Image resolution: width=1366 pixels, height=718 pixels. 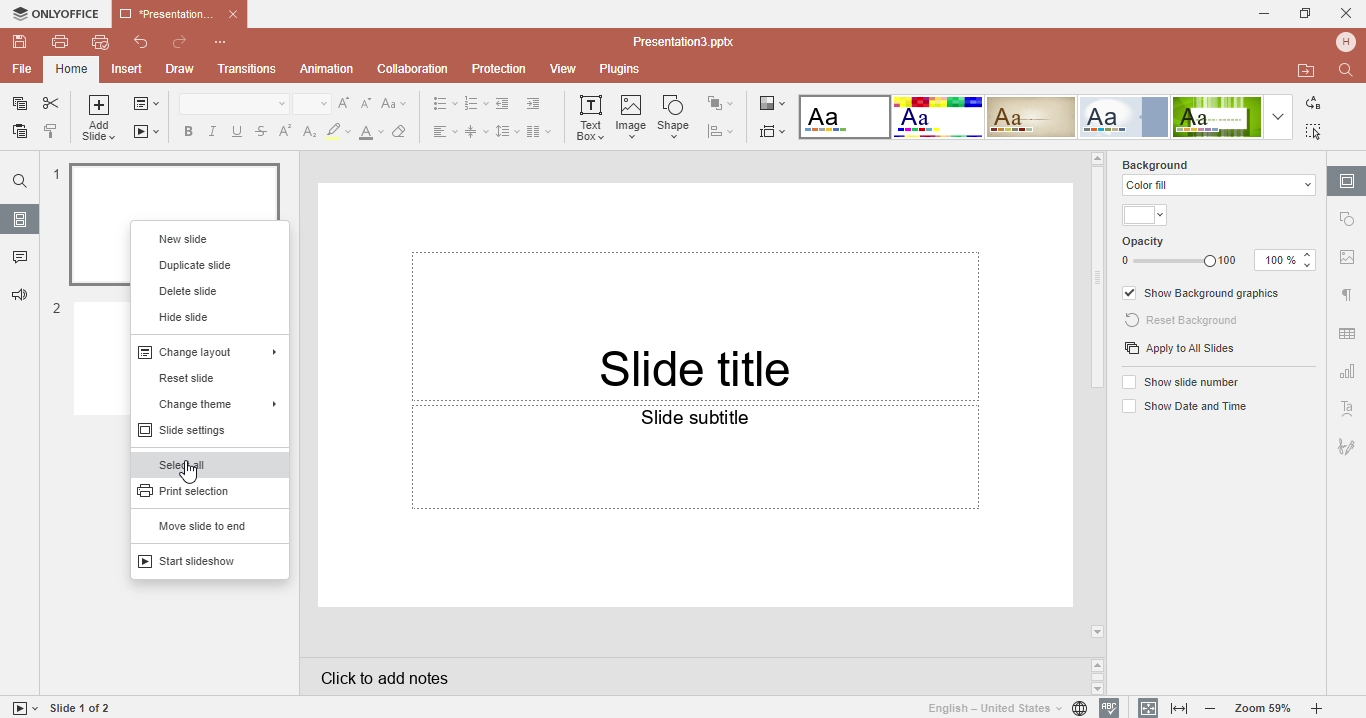 What do you see at coordinates (442, 130) in the screenshot?
I see `Horizontal align` at bounding box center [442, 130].